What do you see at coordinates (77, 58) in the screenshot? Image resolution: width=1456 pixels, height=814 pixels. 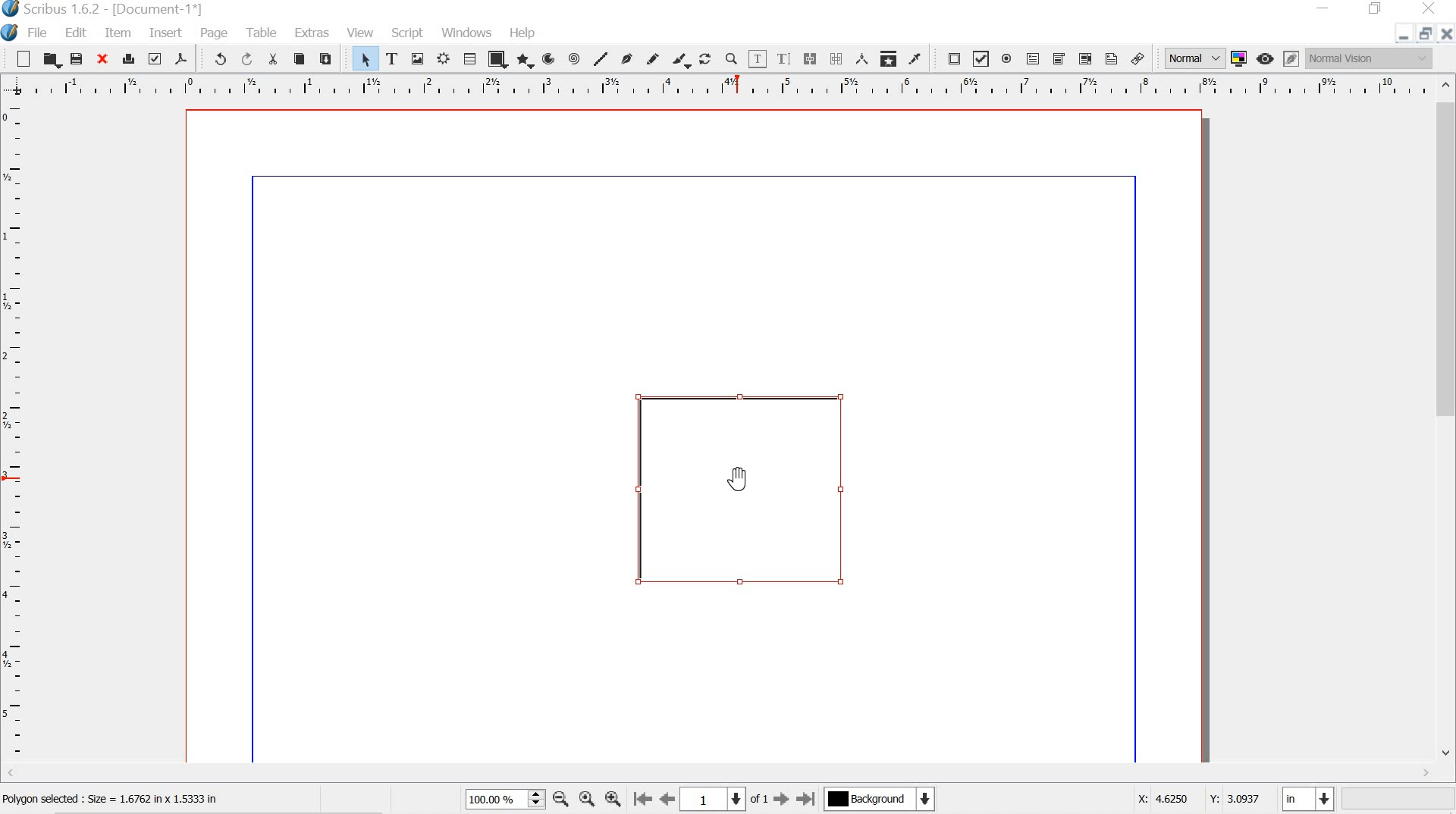 I see `save` at bounding box center [77, 58].